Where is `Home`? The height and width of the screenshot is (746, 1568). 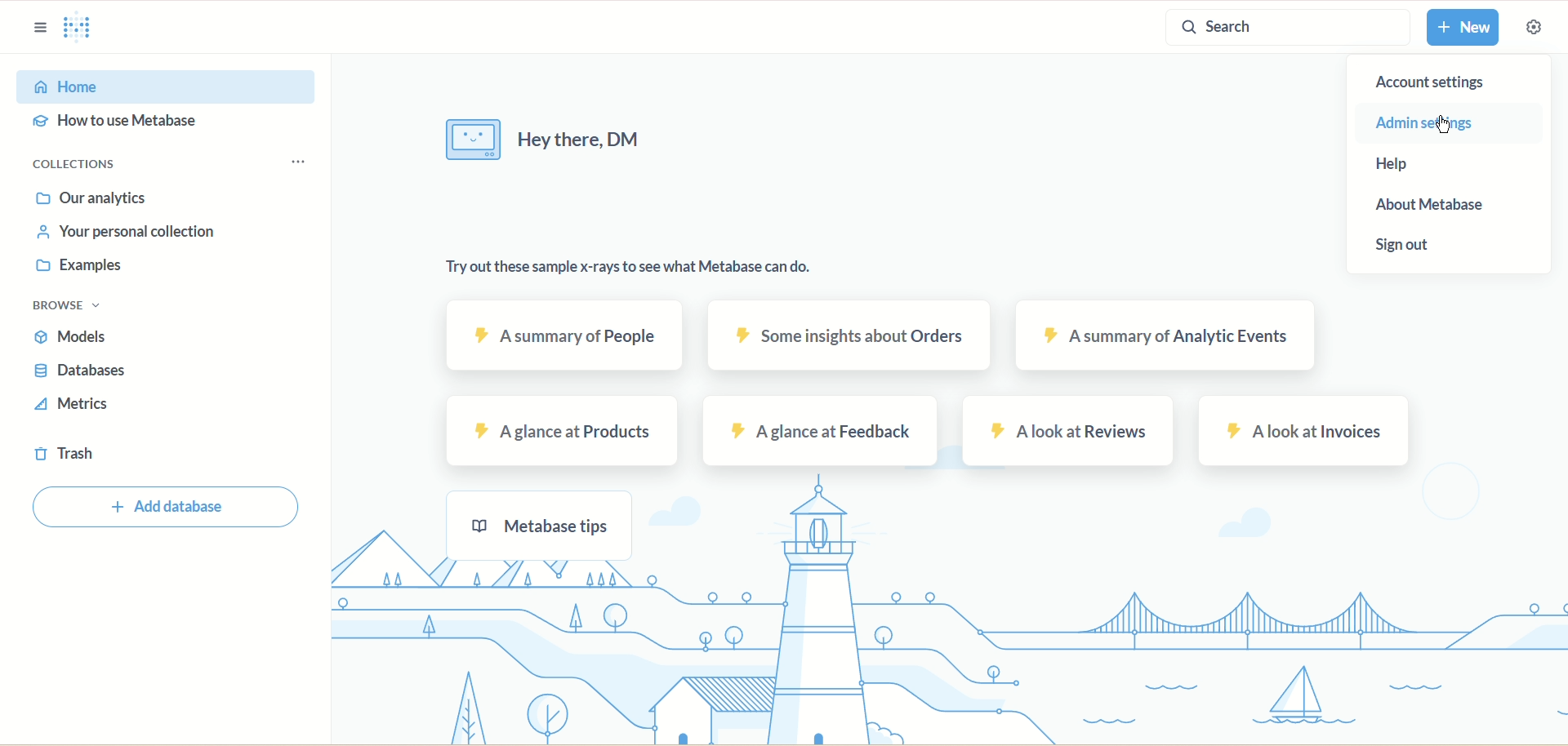 Home is located at coordinates (134, 87).